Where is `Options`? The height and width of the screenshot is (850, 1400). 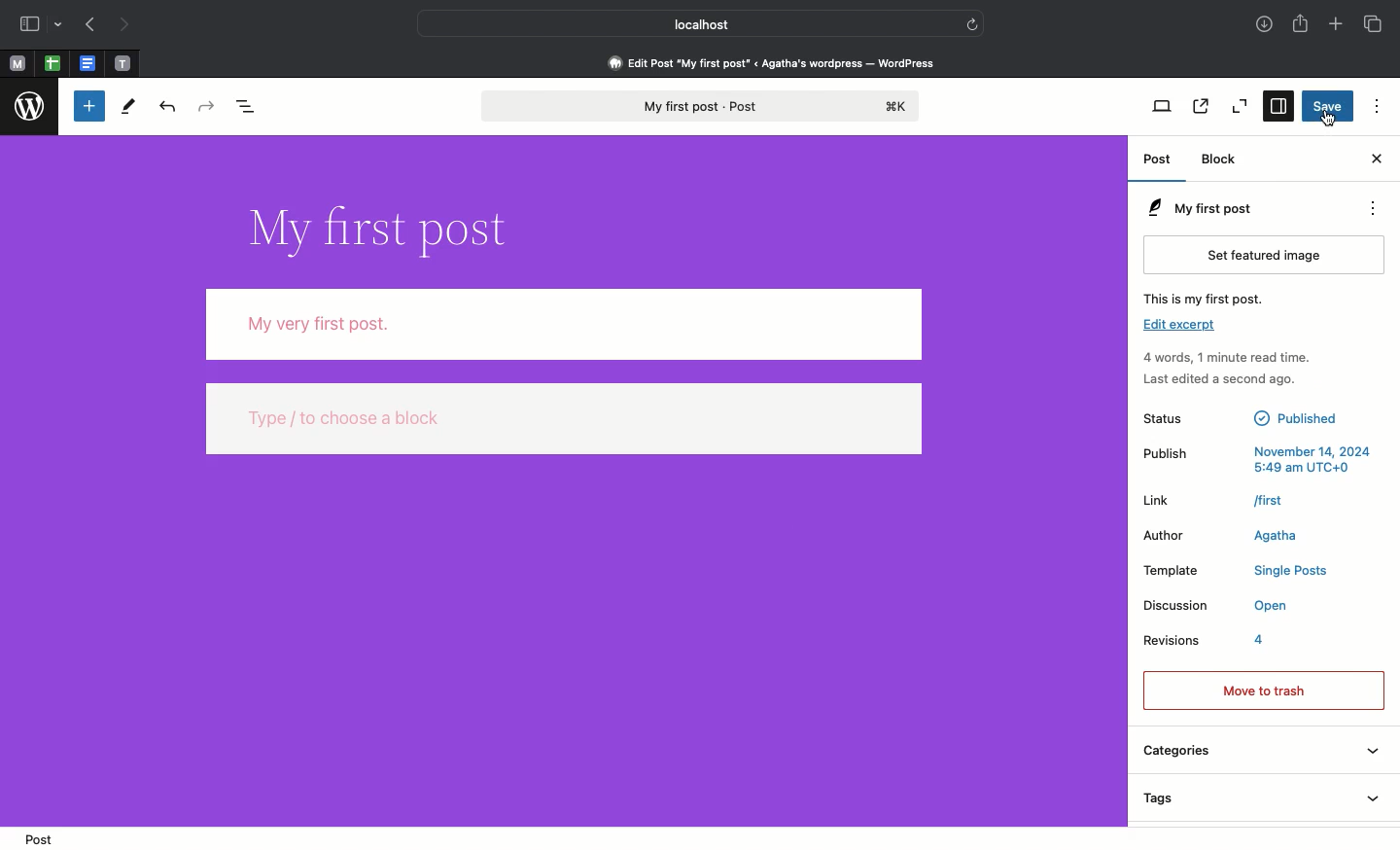
Options is located at coordinates (1374, 106).